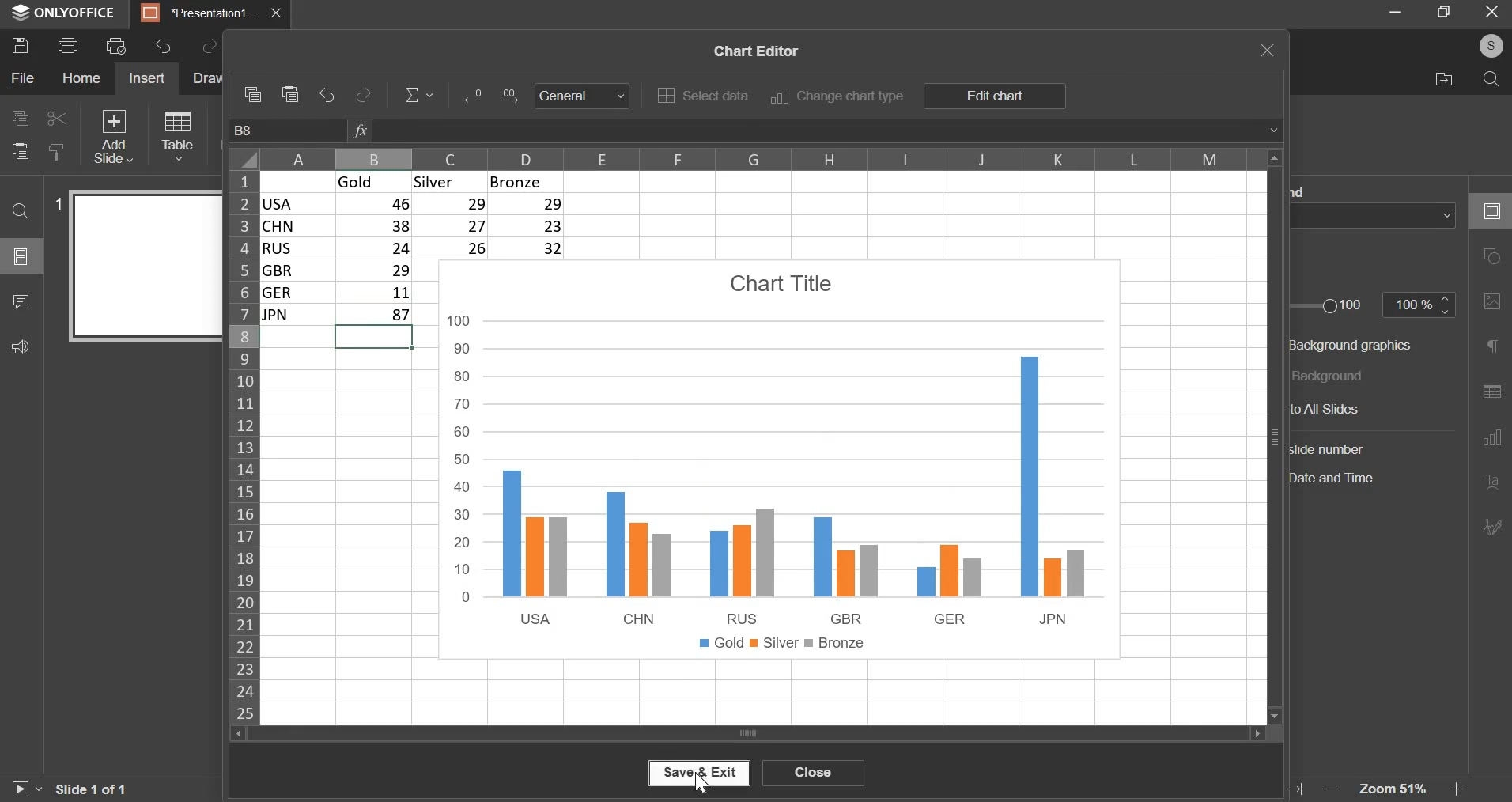 The image size is (1512, 802). What do you see at coordinates (20, 256) in the screenshot?
I see `slide menu` at bounding box center [20, 256].